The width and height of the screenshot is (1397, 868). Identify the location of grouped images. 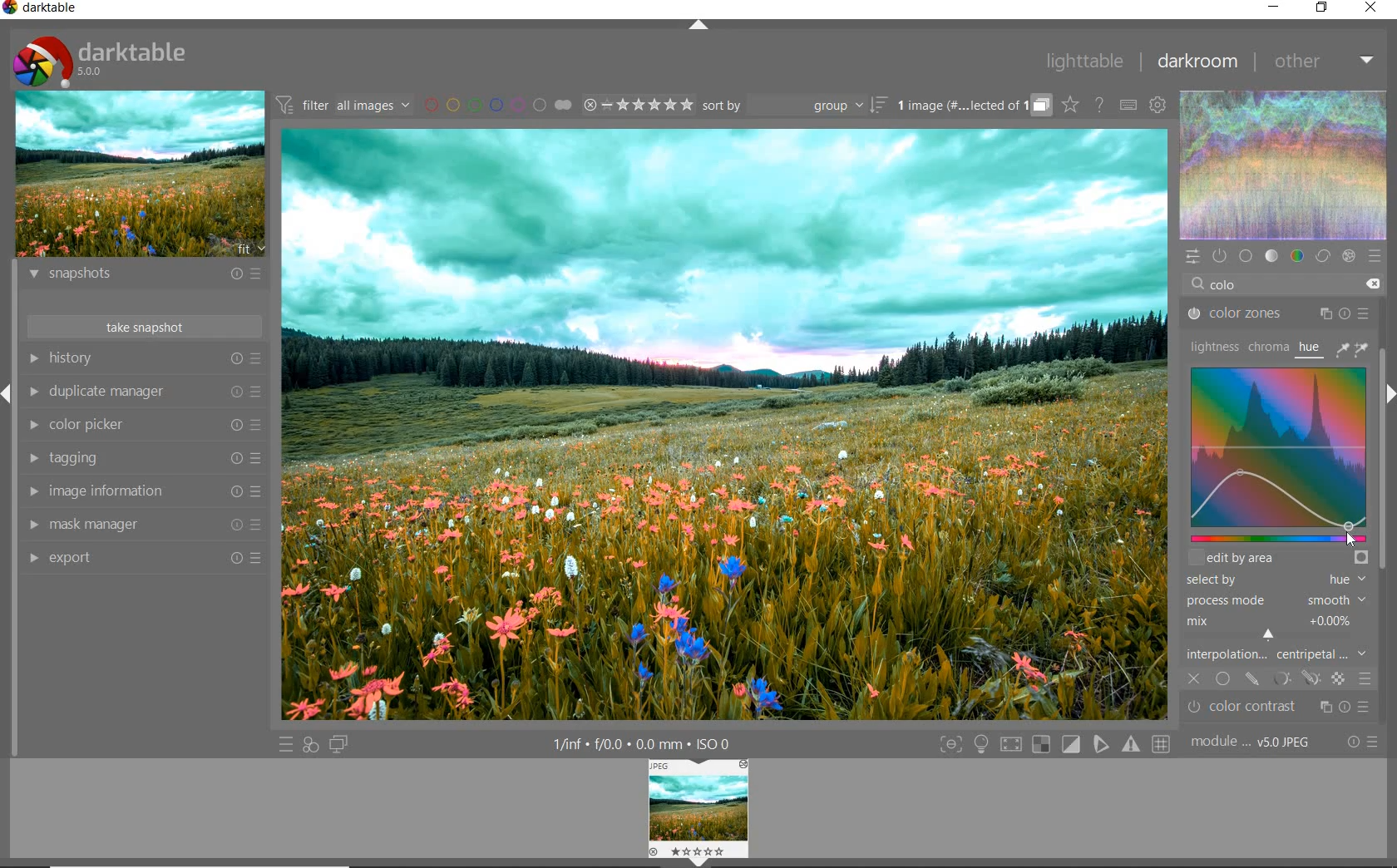
(972, 106).